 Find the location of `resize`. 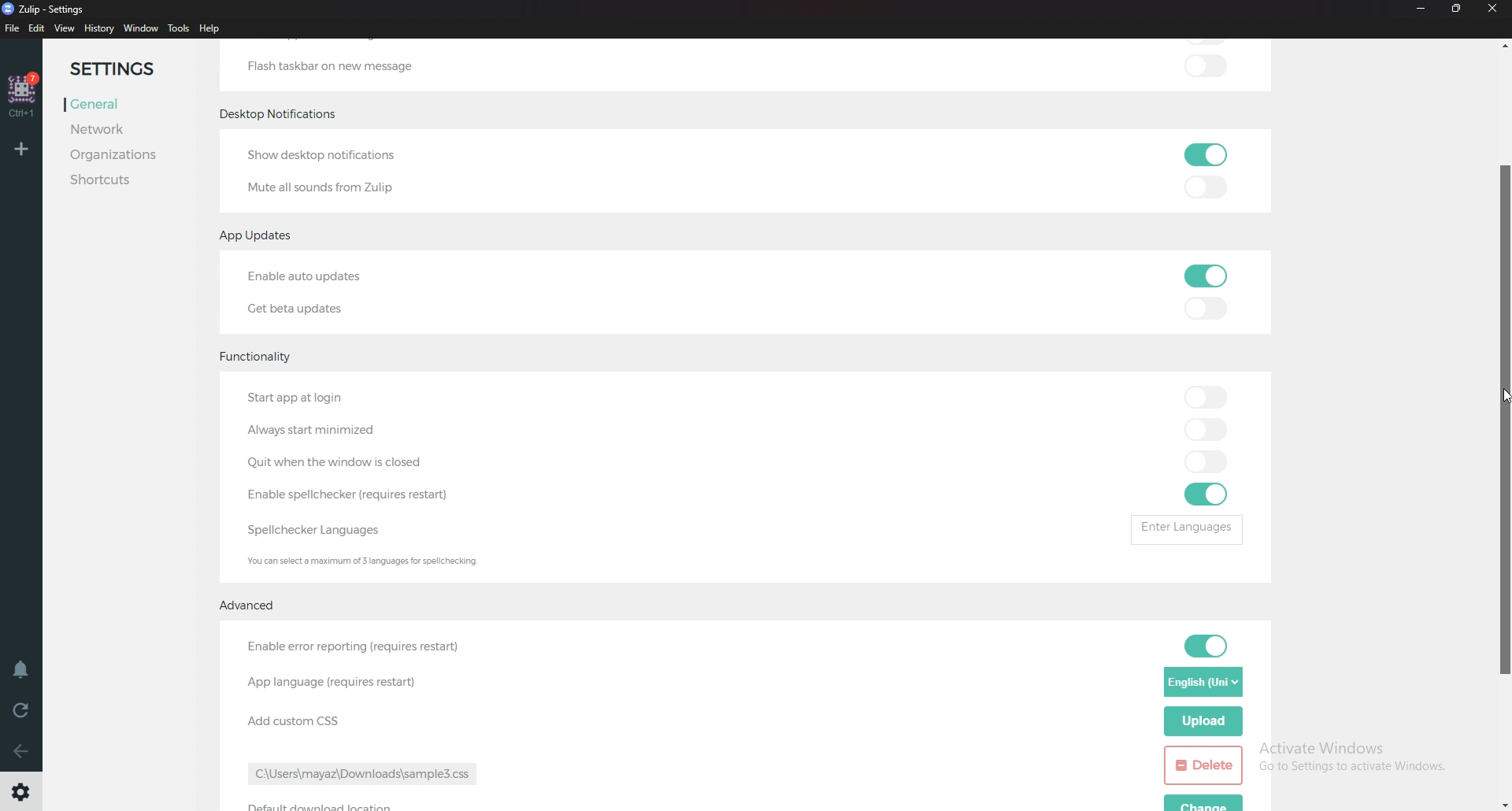

resize is located at coordinates (1457, 9).